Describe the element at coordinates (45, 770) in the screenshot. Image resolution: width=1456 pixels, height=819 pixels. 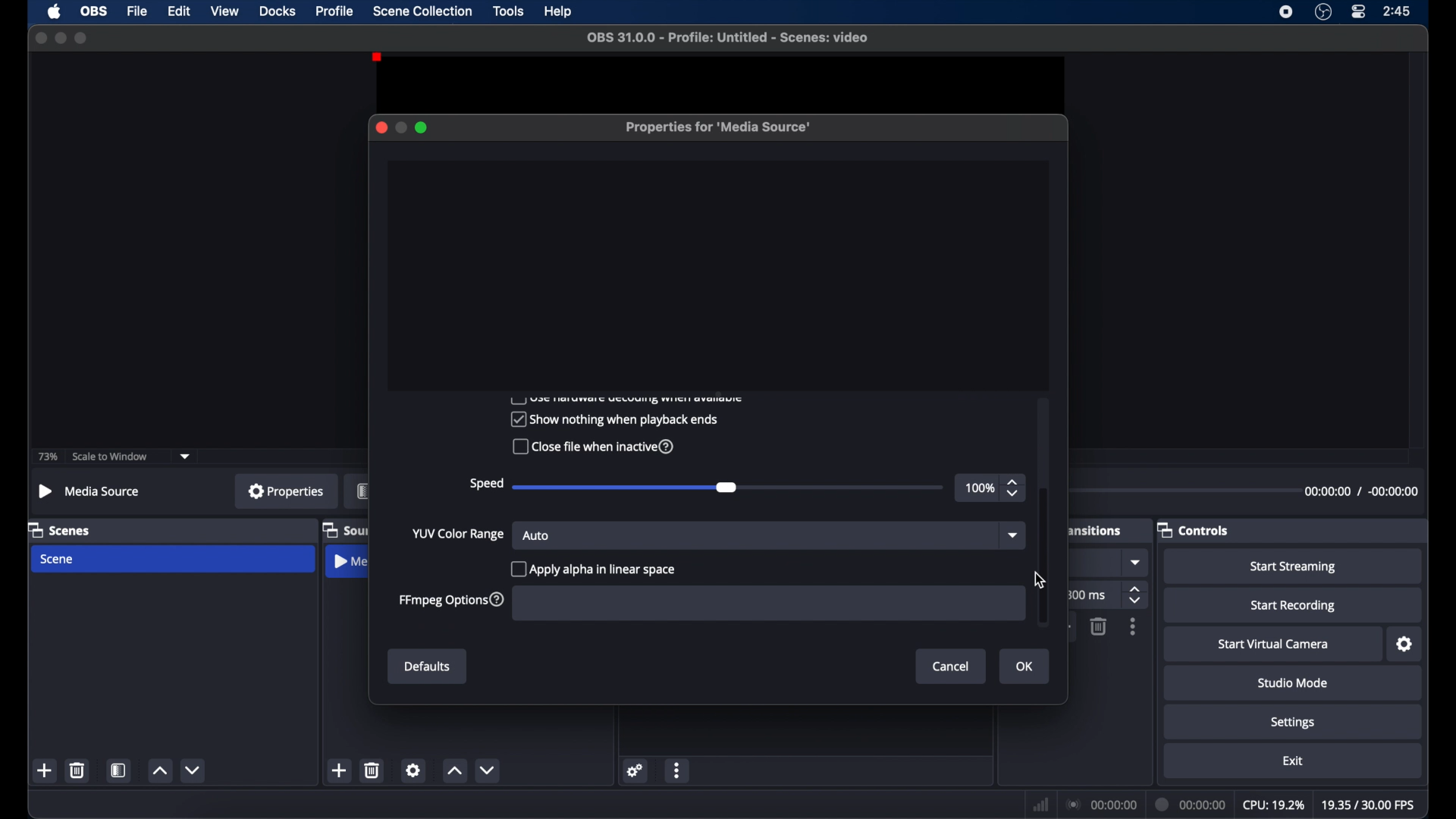
I see `add` at that location.